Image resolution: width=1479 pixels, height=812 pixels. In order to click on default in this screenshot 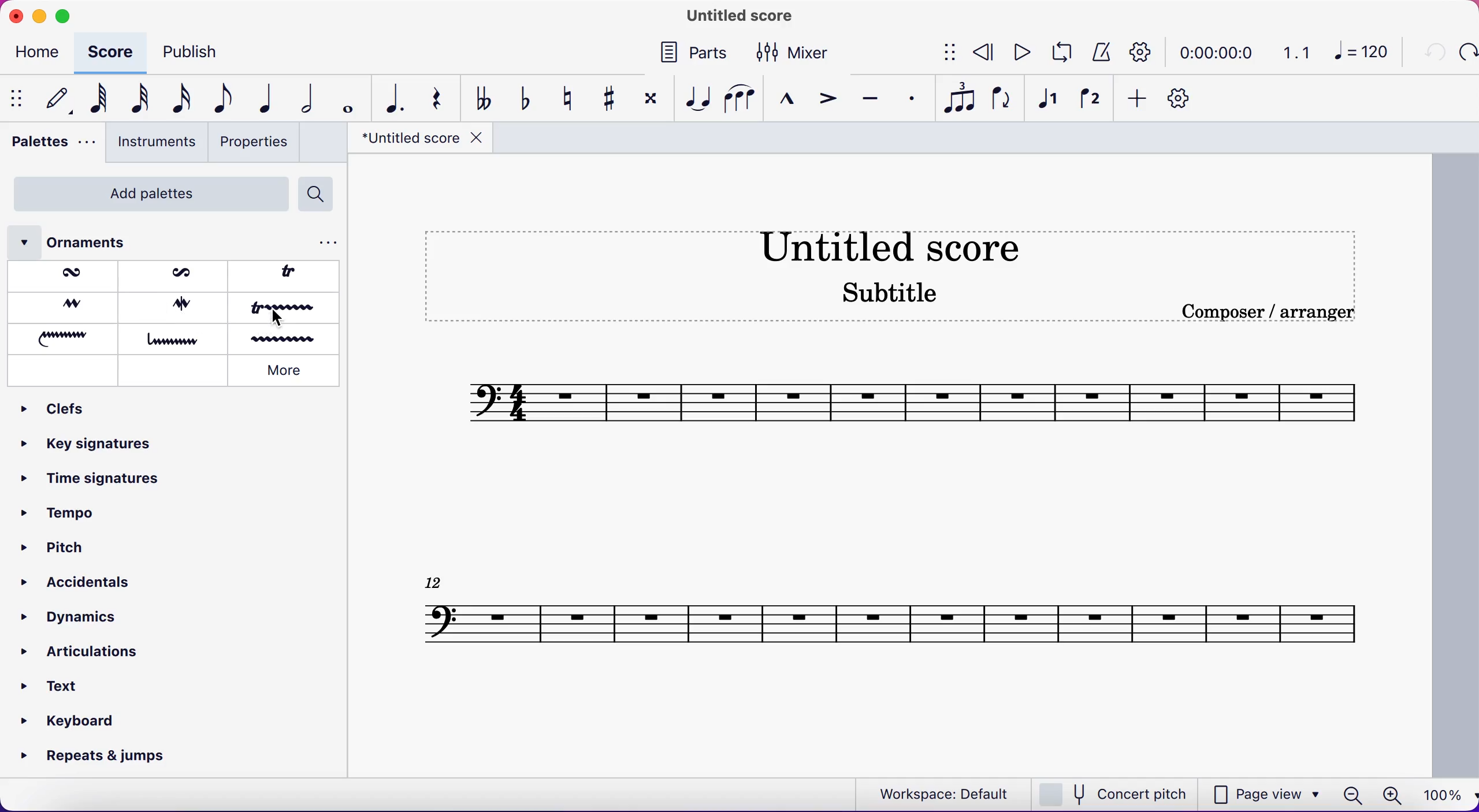, I will do `click(53, 99)`.